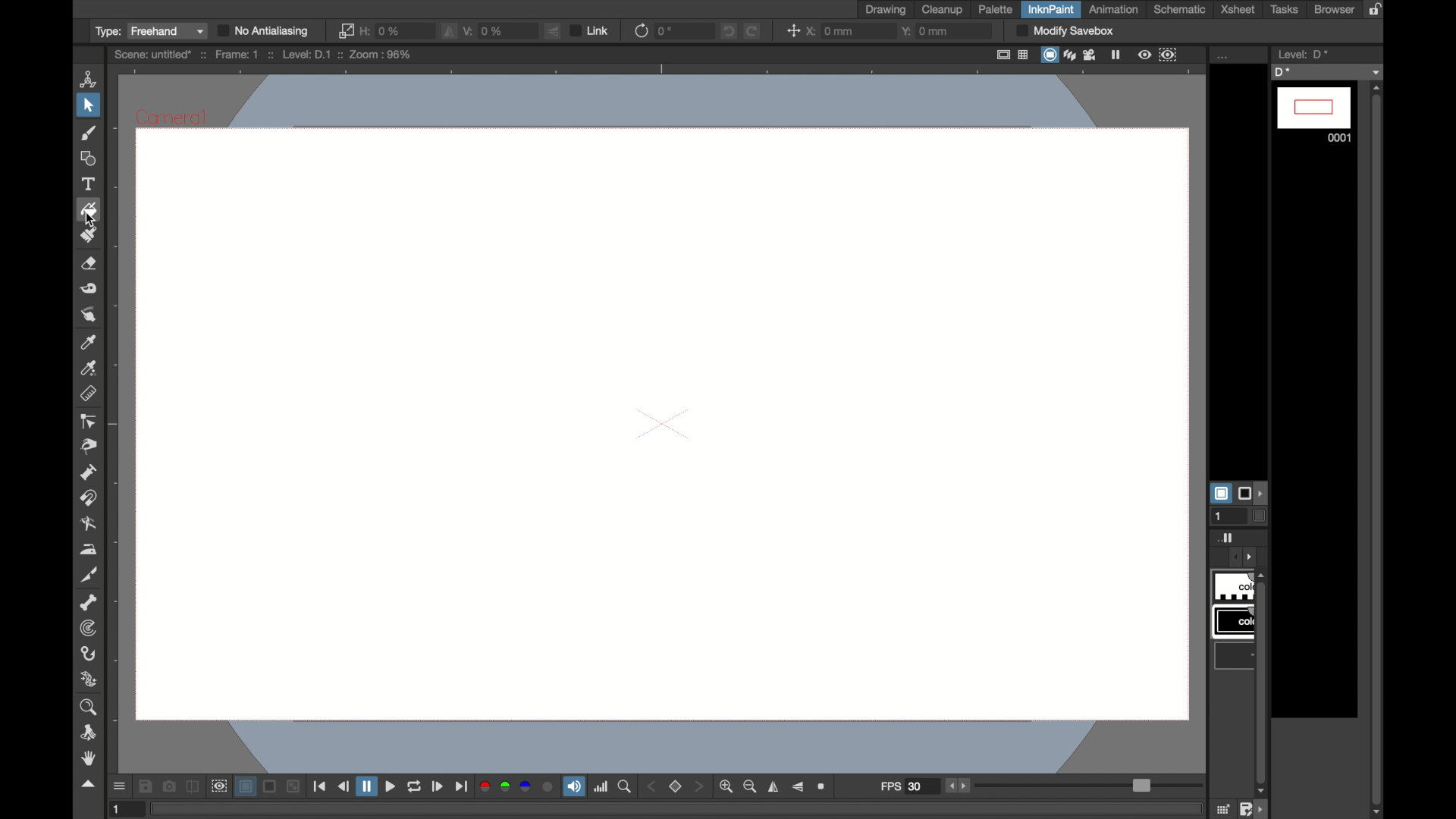  What do you see at coordinates (87, 524) in the screenshot?
I see `blender tool` at bounding box center [87, 524].